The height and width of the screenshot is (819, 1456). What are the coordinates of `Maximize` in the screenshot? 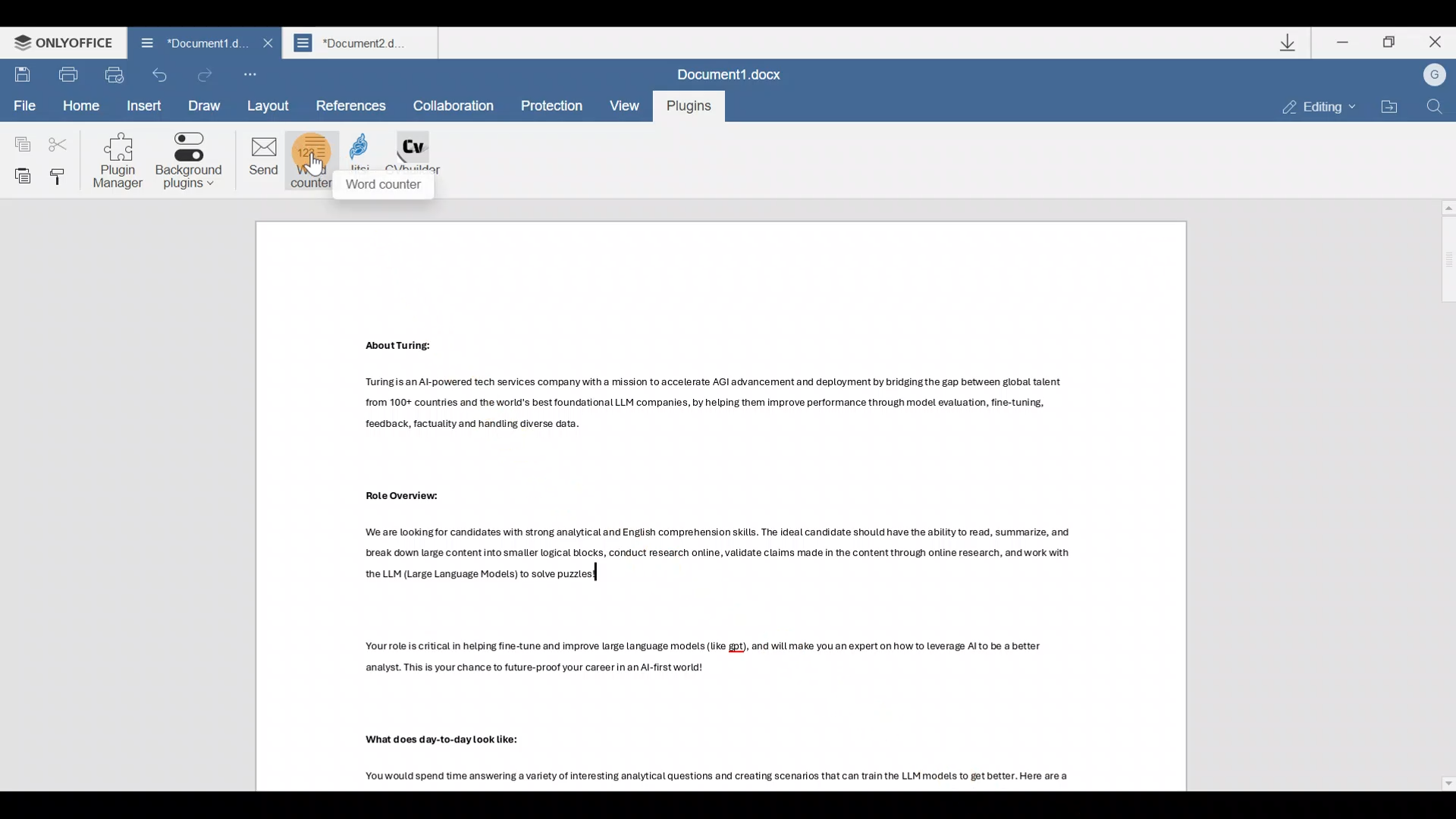 It's located at (1391, 47).